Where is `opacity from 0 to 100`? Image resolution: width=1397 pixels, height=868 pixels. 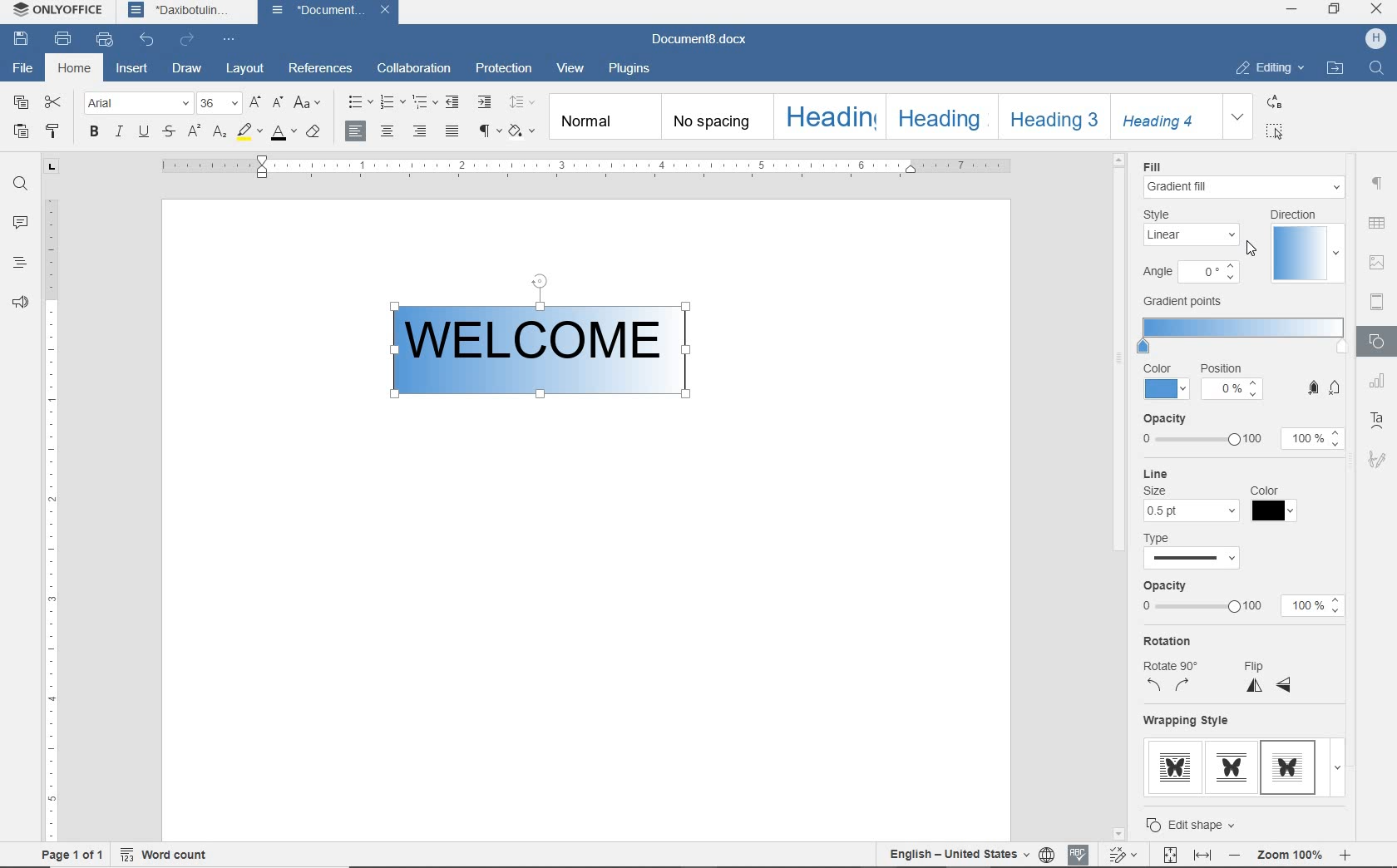 opacity from 0 to 100 is located at coordinates (1202, 606).